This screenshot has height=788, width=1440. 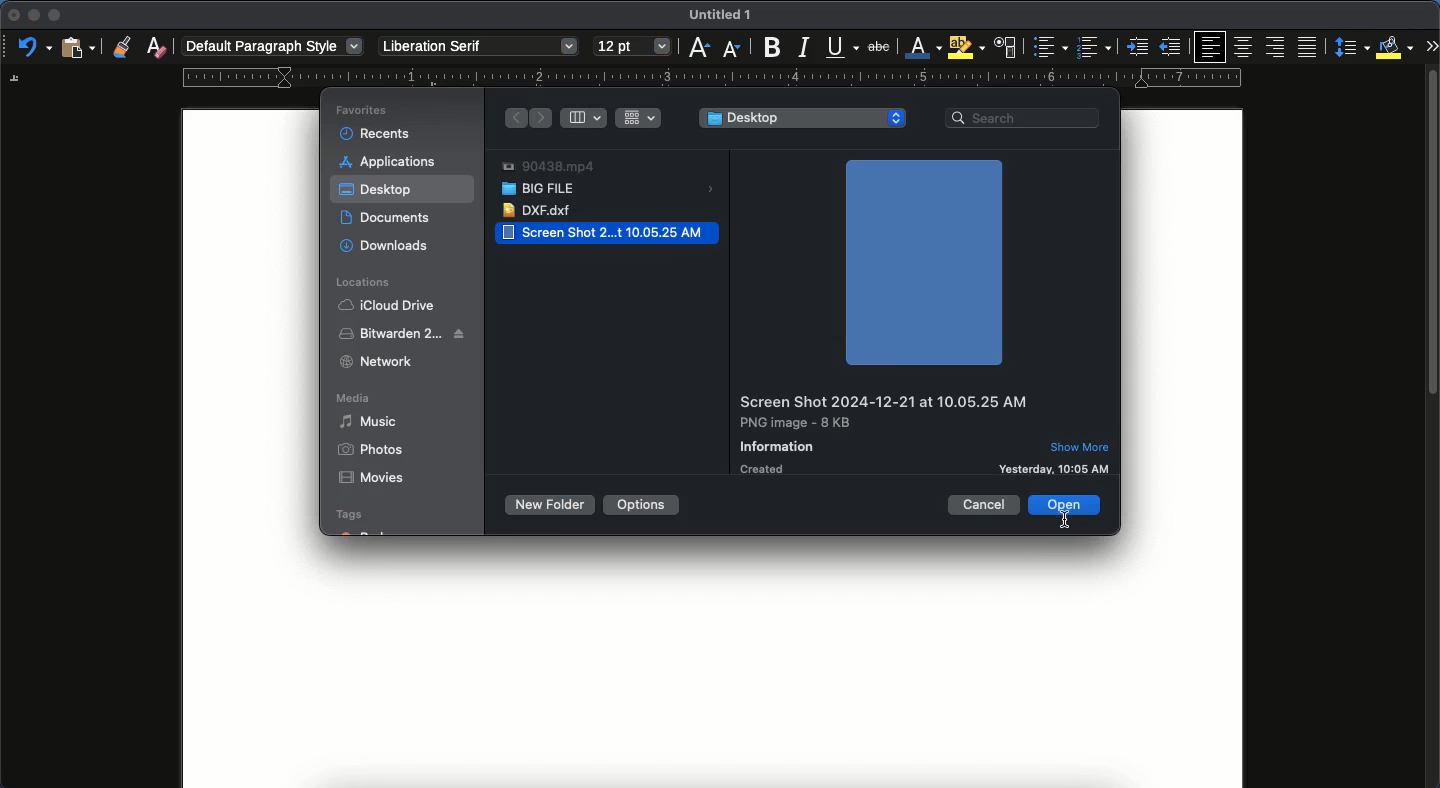 I want to click on paragraph spacing, so click(x=1354, y=49).